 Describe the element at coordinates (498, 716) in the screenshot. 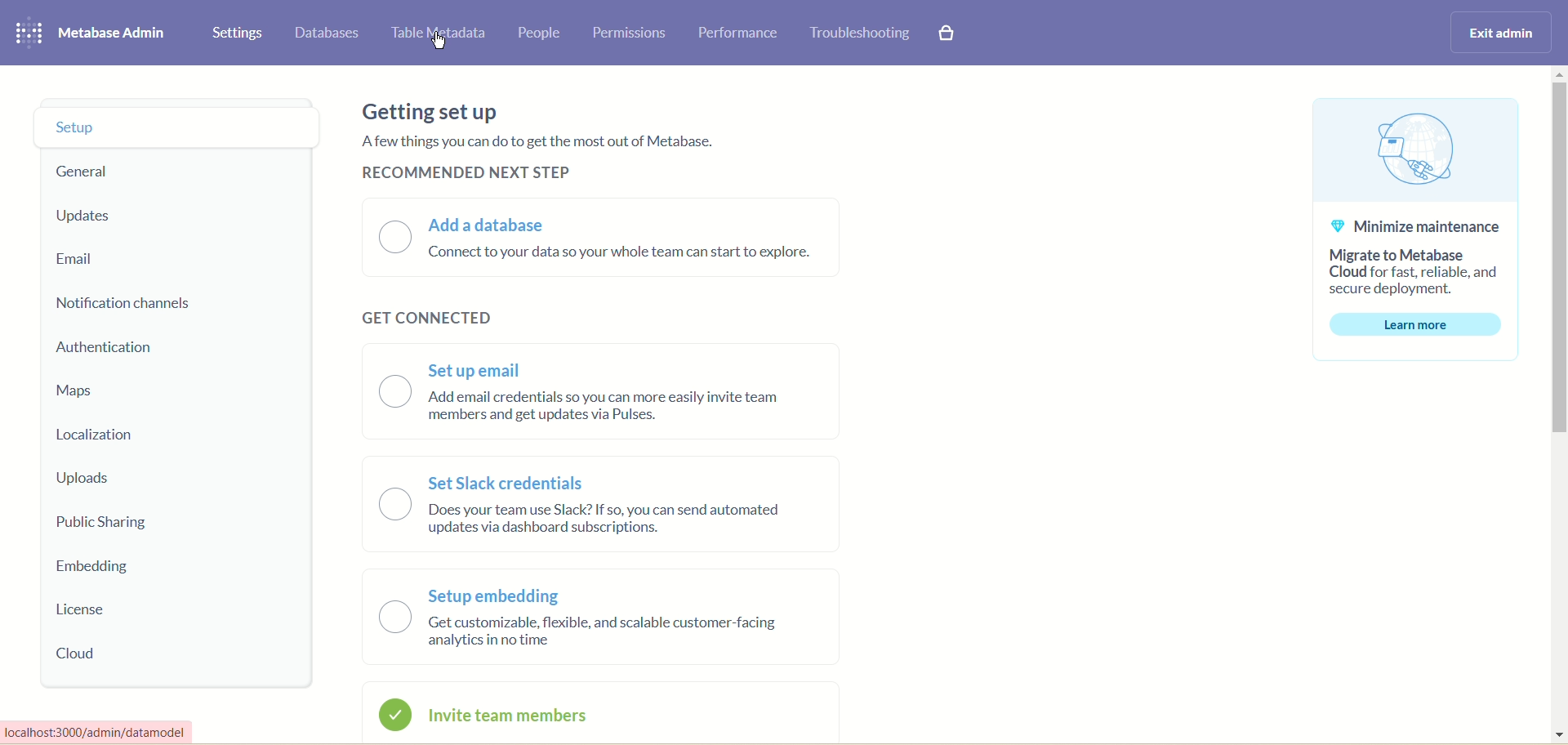

I see `invite team members` at that location.